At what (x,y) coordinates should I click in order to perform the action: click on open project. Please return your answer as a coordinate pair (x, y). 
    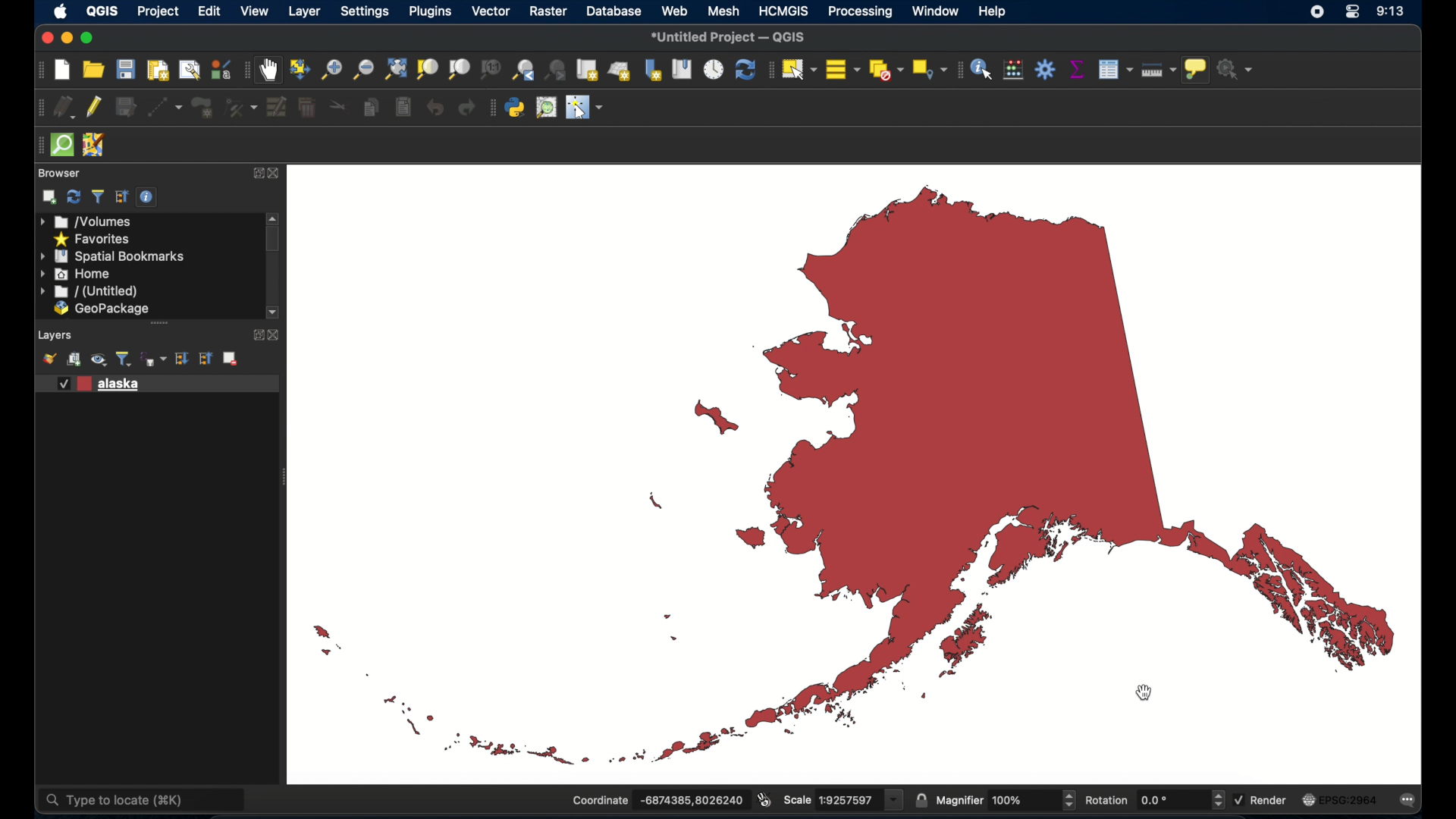
    Looking at the image, I should click on (93, 70).